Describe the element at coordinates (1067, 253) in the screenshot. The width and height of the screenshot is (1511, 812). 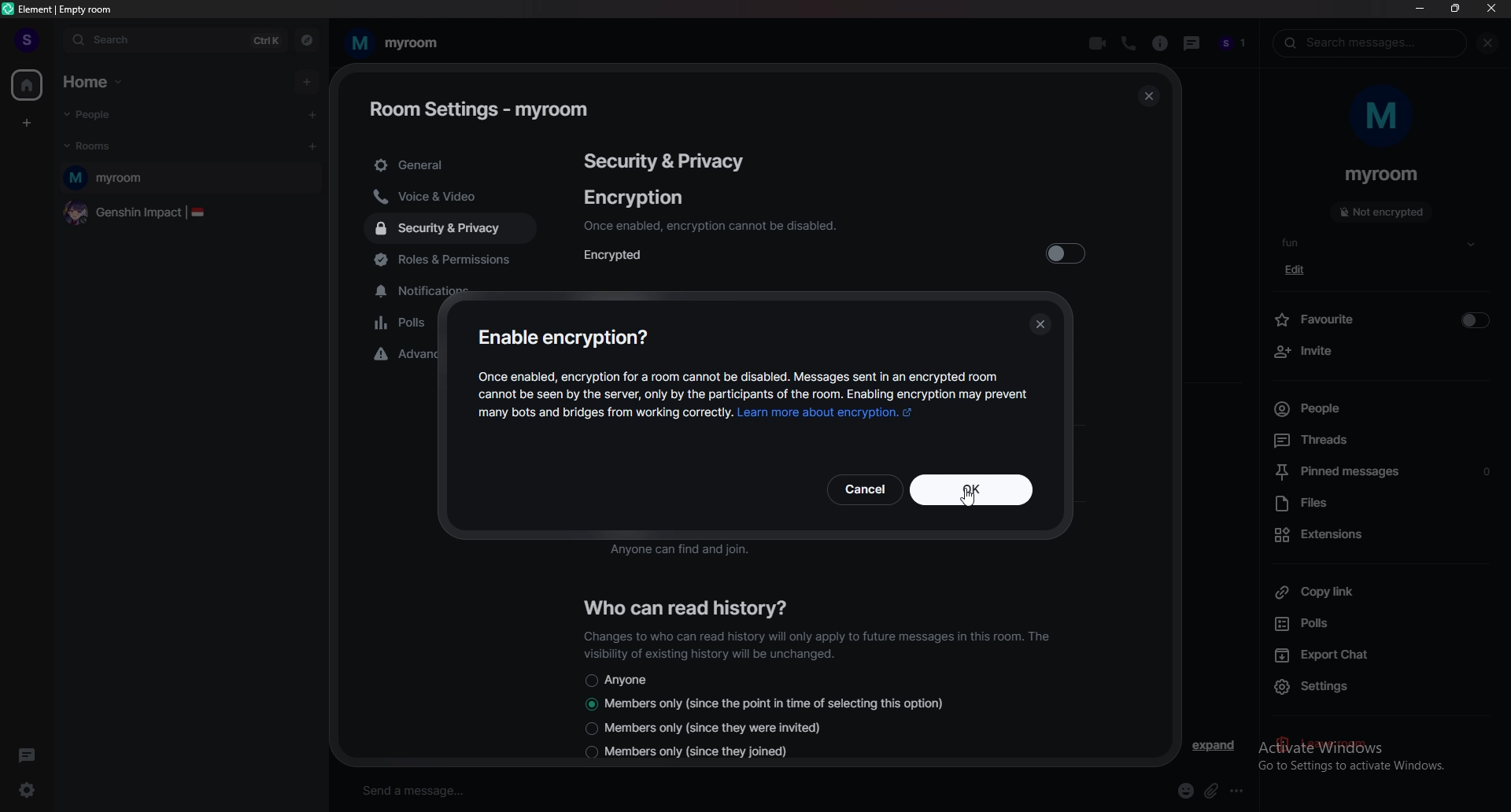
I see `encrypt` at that location.